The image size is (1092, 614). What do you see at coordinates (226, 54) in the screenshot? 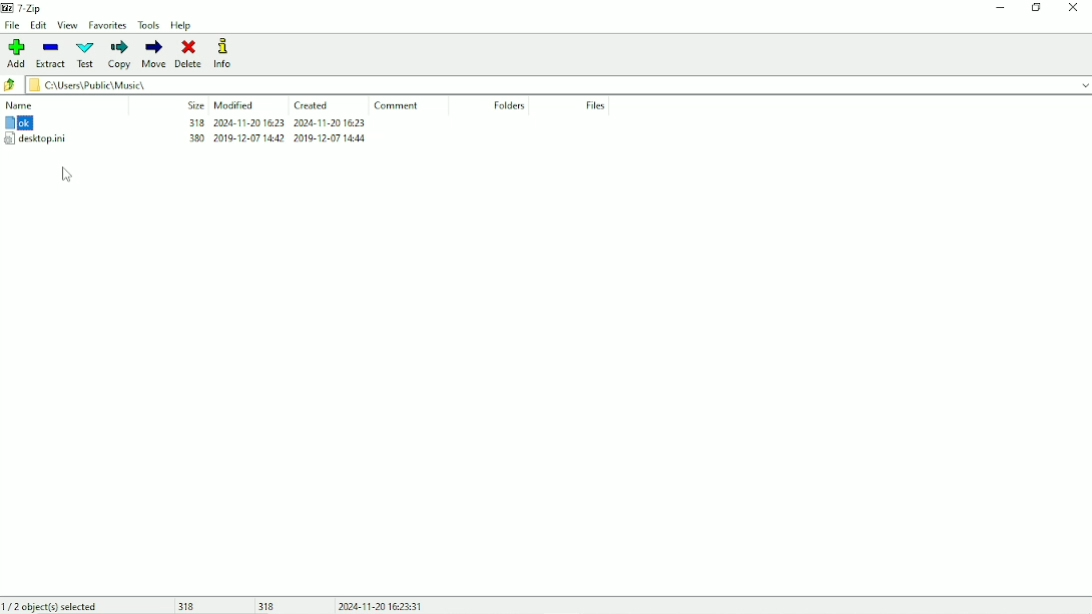
I see `Info` at bounding box center [226, 54].